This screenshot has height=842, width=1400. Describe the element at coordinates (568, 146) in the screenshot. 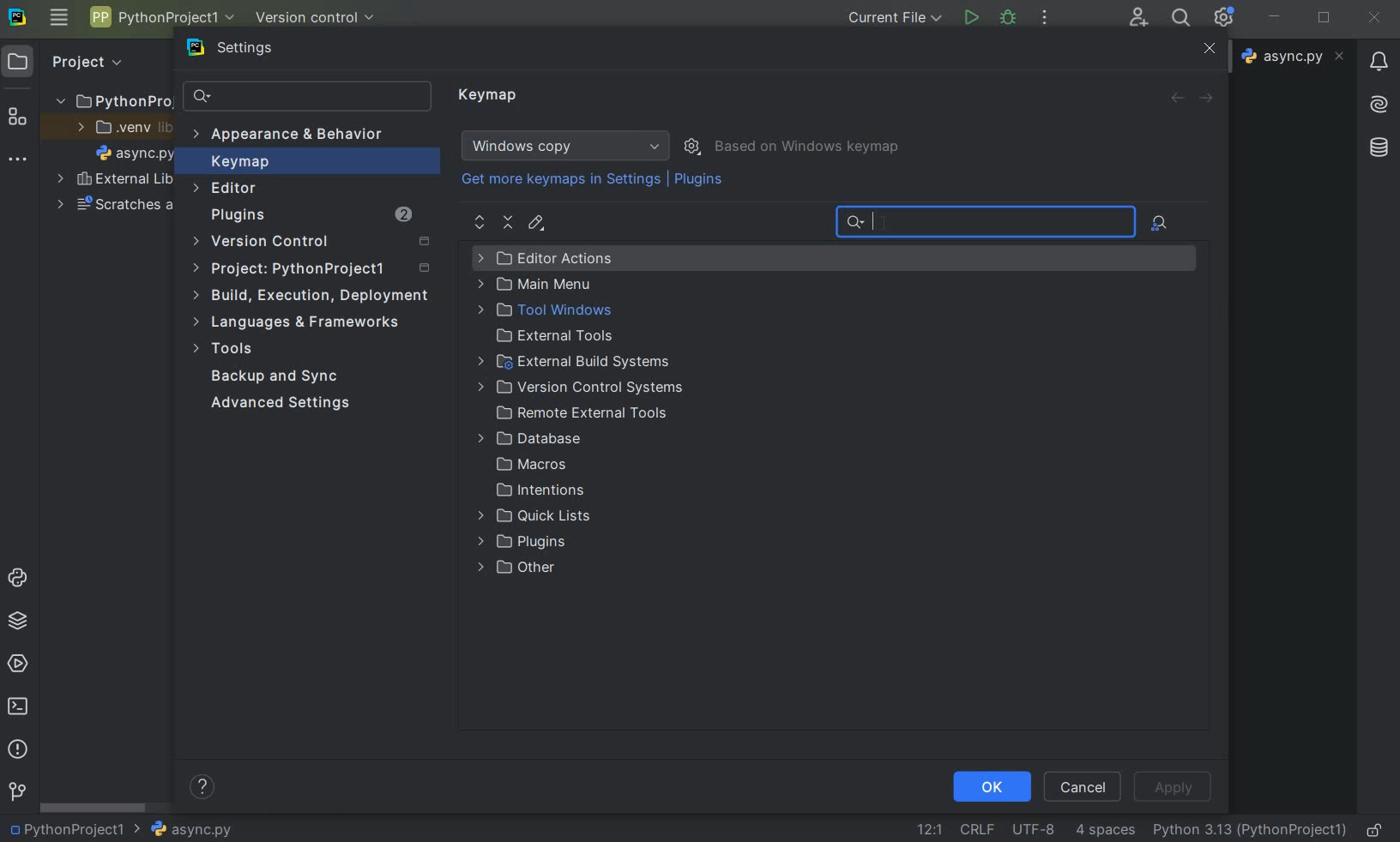

I see `windows copy` at that location.